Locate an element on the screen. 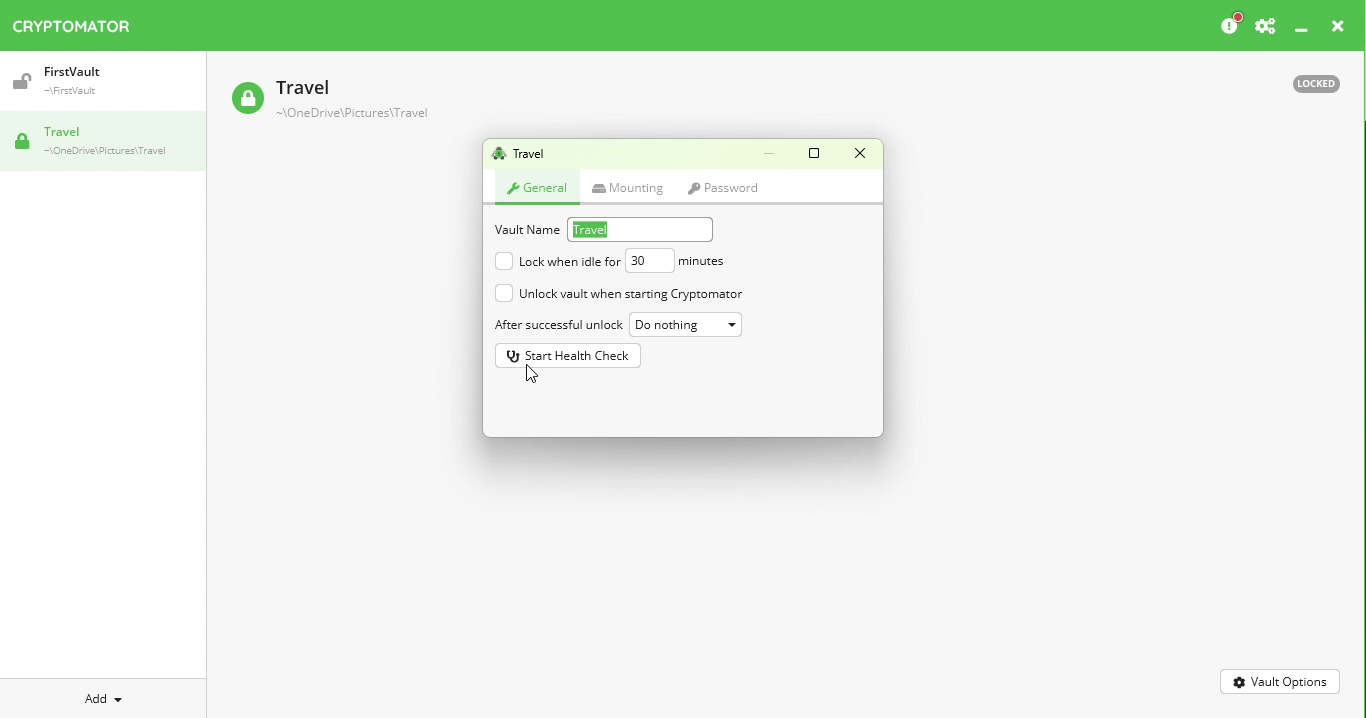 This screenshot has height=718, width=1366. unchecked checkbox is located at coordinates (504, 294).